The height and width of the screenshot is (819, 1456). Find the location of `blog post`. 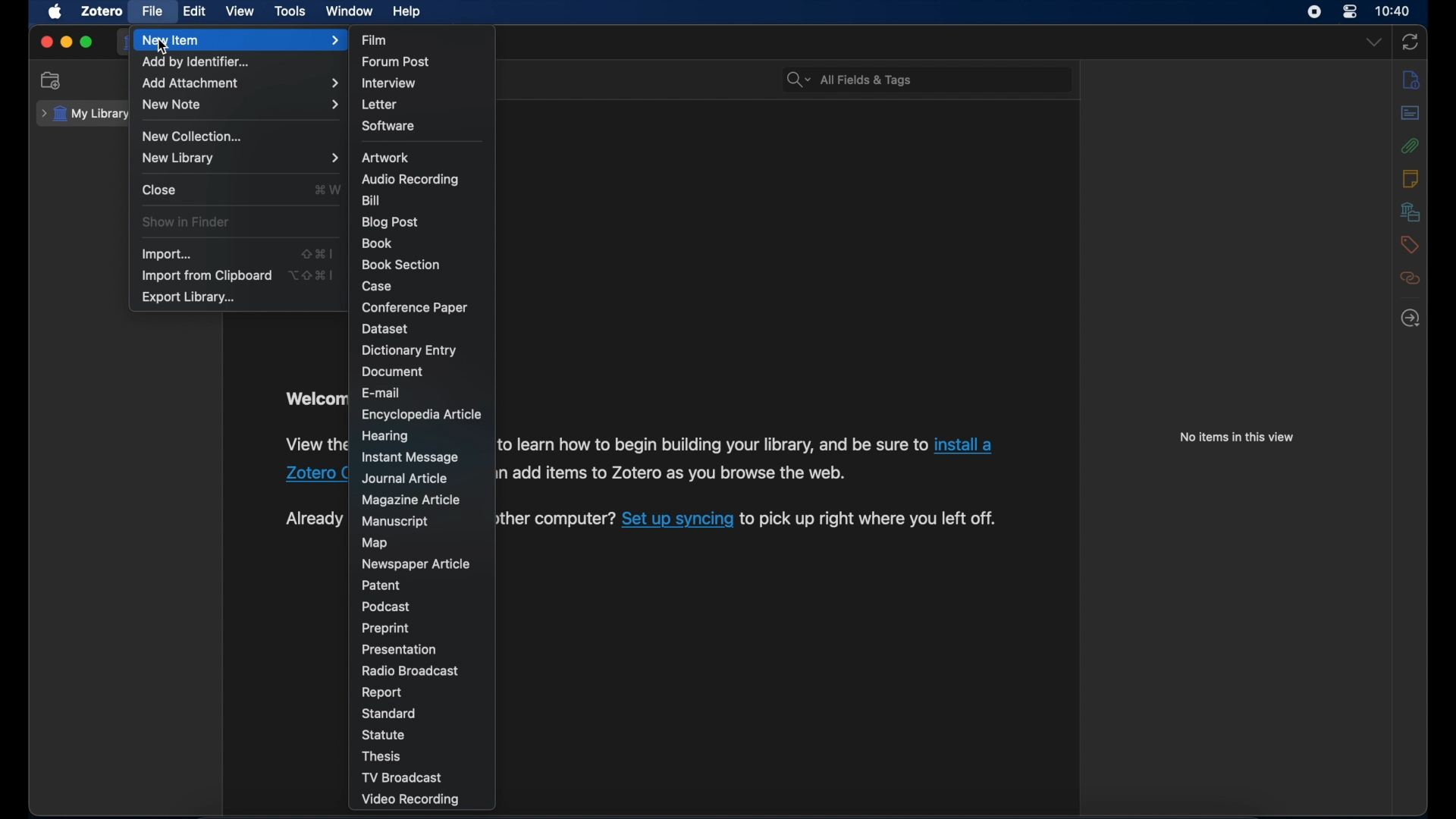

blog post is located at coordinates (391, 222).